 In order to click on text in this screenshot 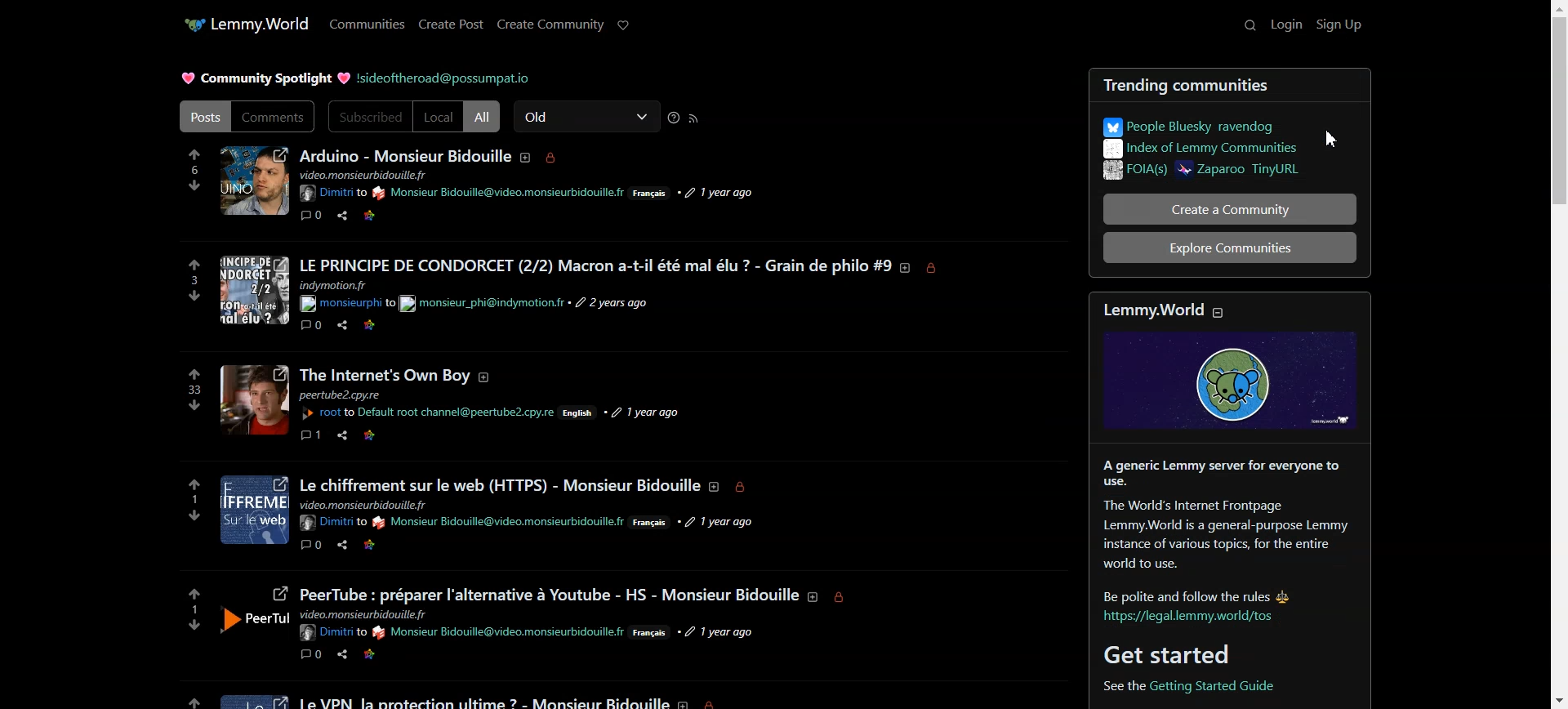, I will do `click(483, 305)`.